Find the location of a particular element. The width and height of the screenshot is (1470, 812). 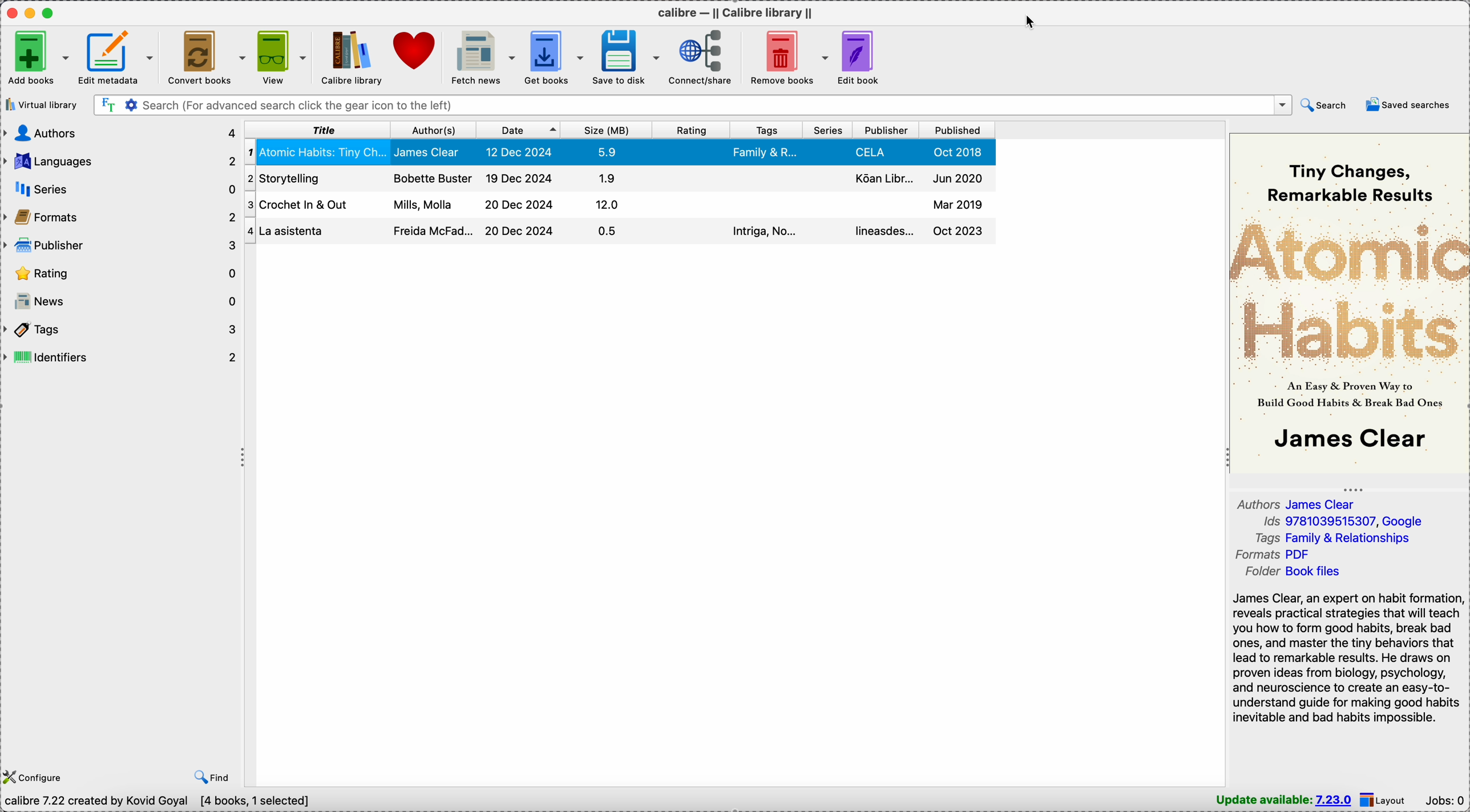

publisher is located at coordinates (887, 130).